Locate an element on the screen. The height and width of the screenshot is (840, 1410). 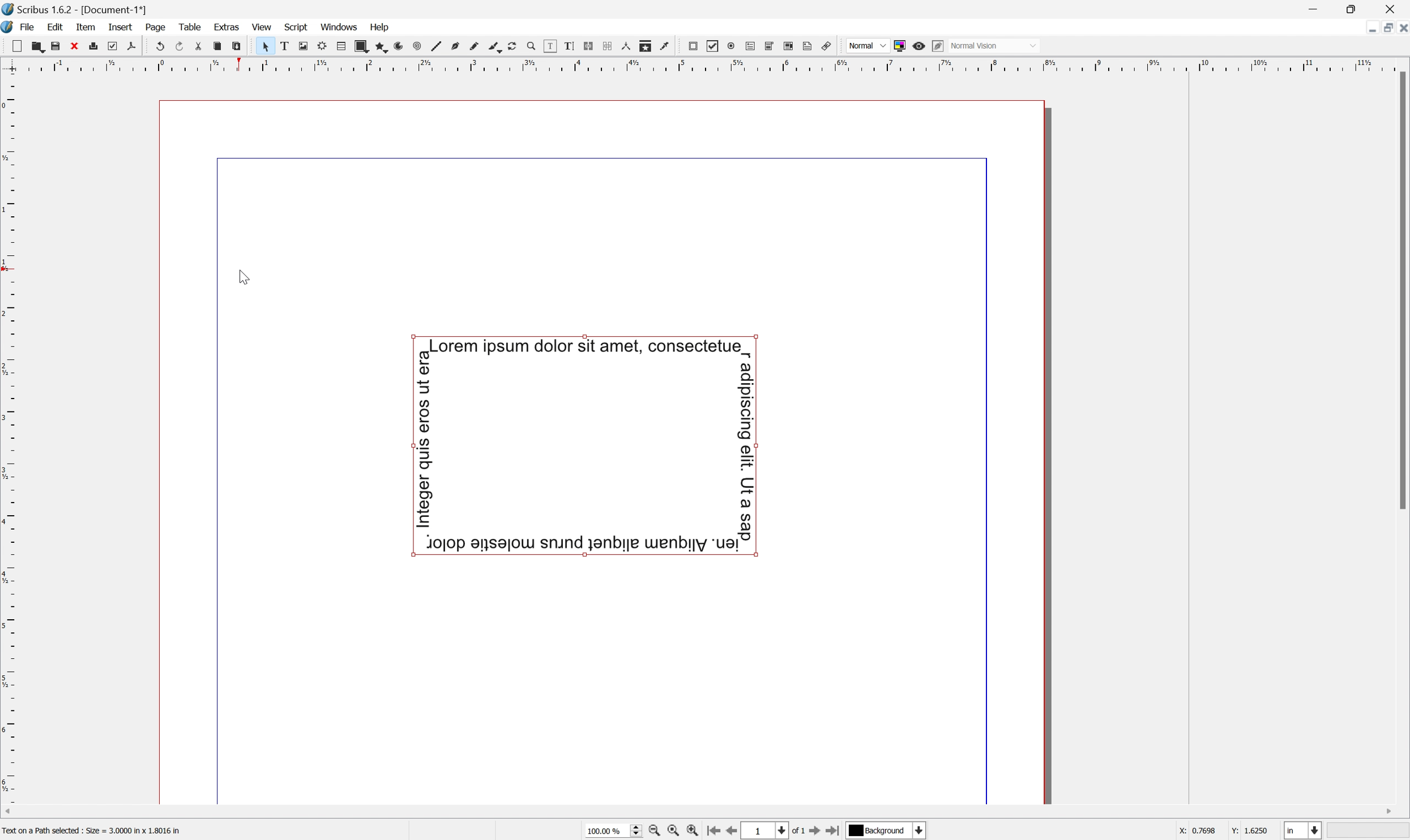
of 1 is located at coordinates (796, 832).